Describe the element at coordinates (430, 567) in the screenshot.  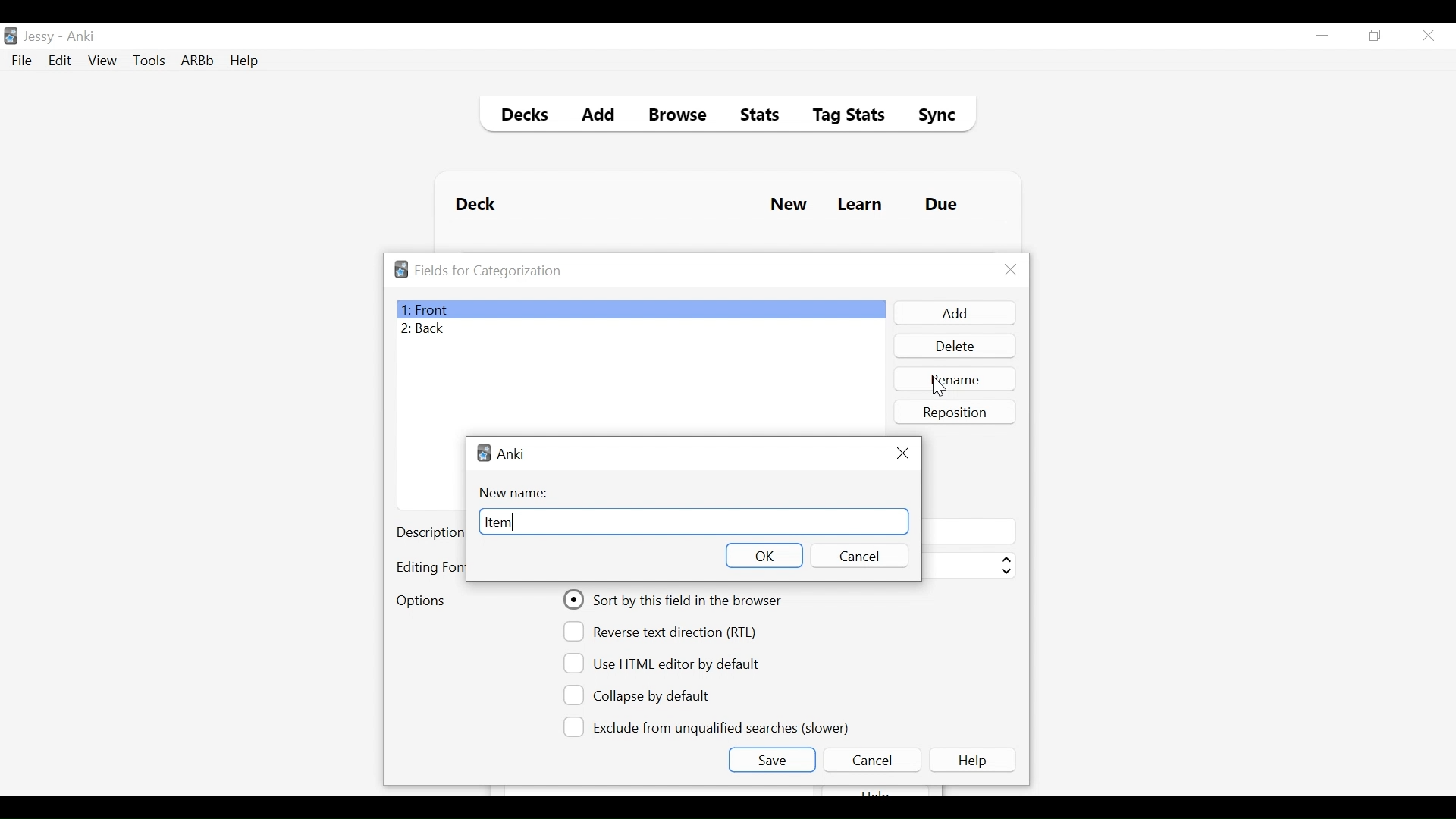
I see `Editing Font` at that location.